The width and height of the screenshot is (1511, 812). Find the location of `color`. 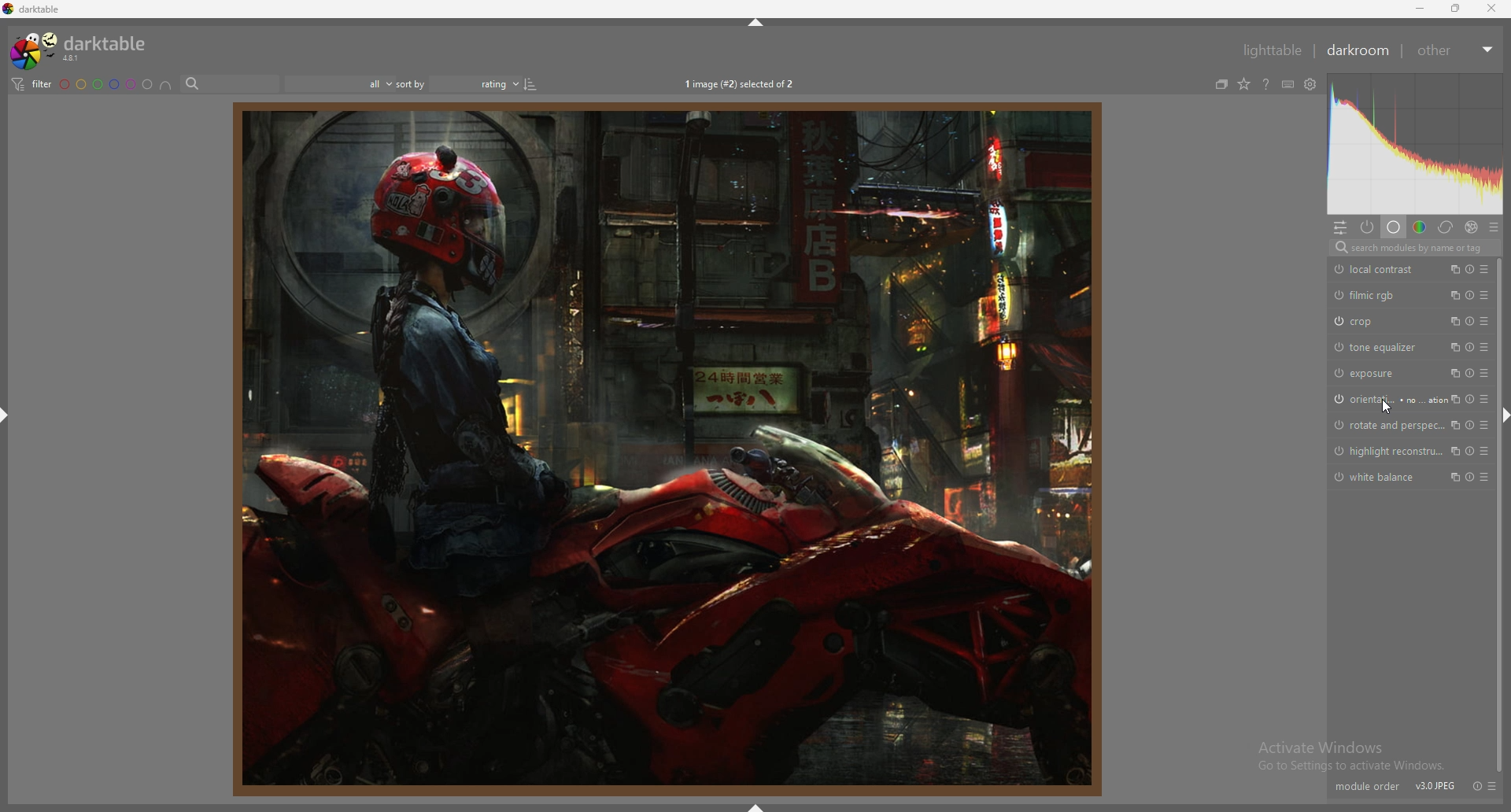

color is located at coordinates (1420, 228).